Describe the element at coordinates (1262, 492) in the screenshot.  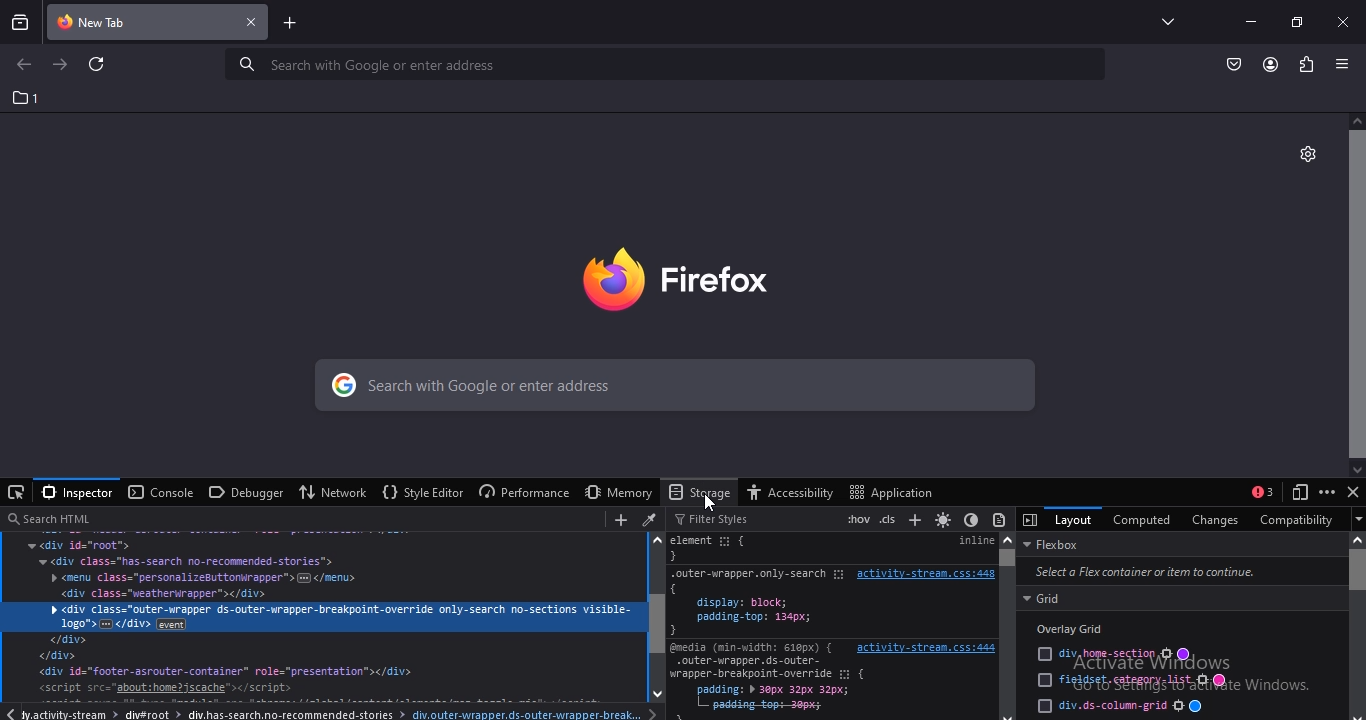
I see `show split console` at that location.